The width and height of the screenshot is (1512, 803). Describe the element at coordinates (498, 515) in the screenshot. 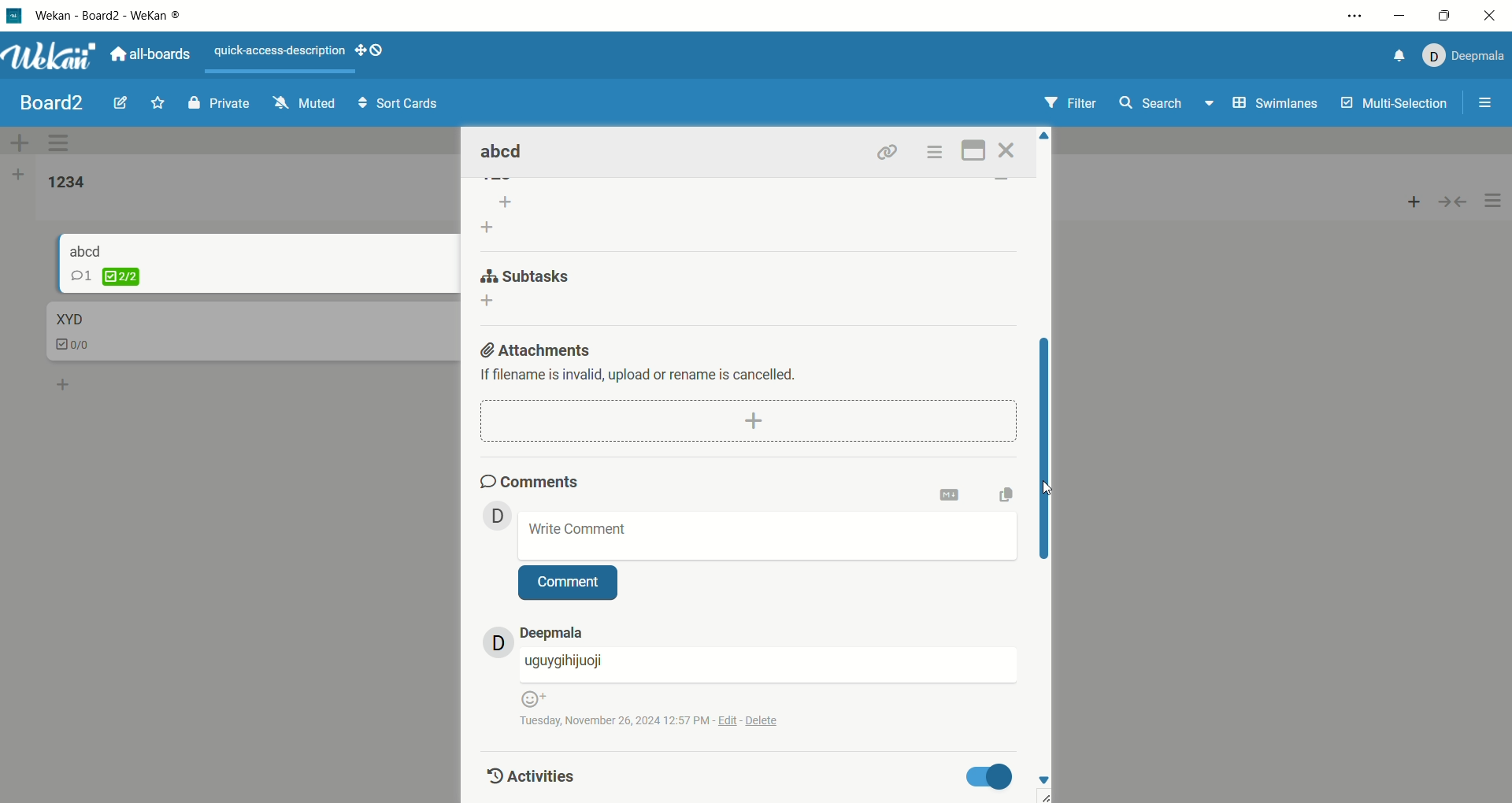

I see `avatar` at that location.